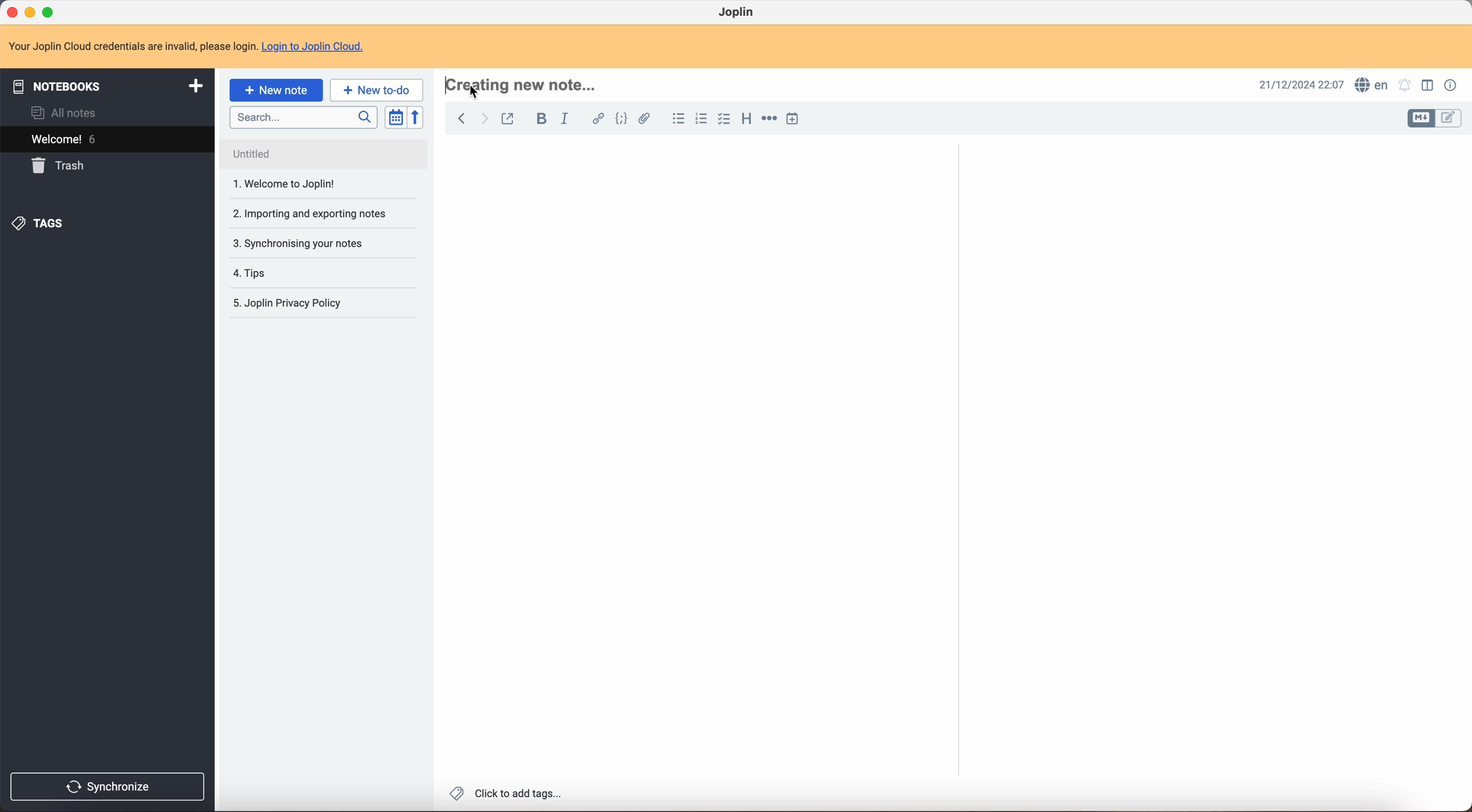  Describe the element at coordinates (61, 166) in the screenshot. I see `trash` at that location.